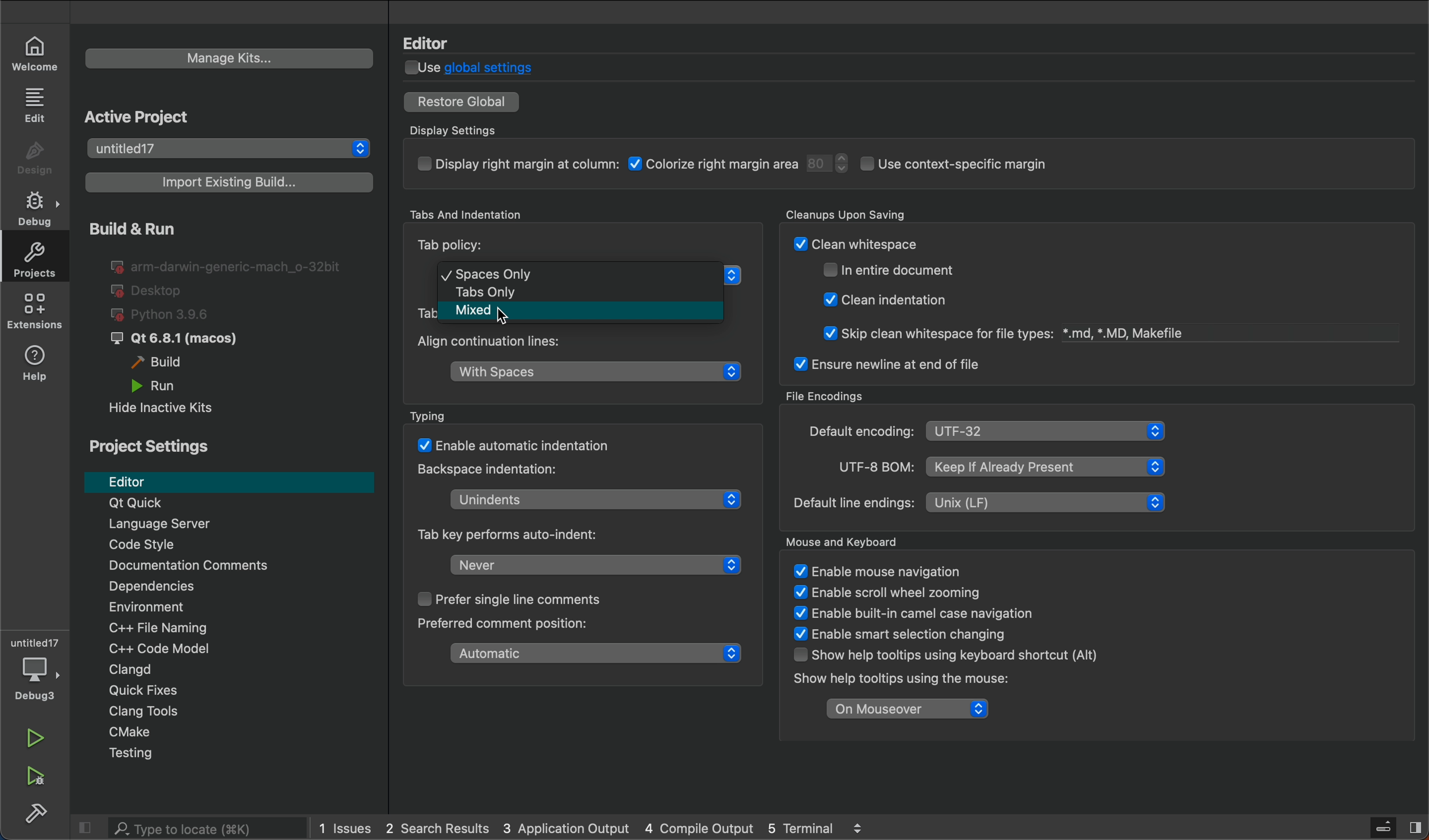  What do you see at coordinates (877, 571) in the screenshot?
I see `¥ Enable mouse navigation` at bounding box center [877, 571].